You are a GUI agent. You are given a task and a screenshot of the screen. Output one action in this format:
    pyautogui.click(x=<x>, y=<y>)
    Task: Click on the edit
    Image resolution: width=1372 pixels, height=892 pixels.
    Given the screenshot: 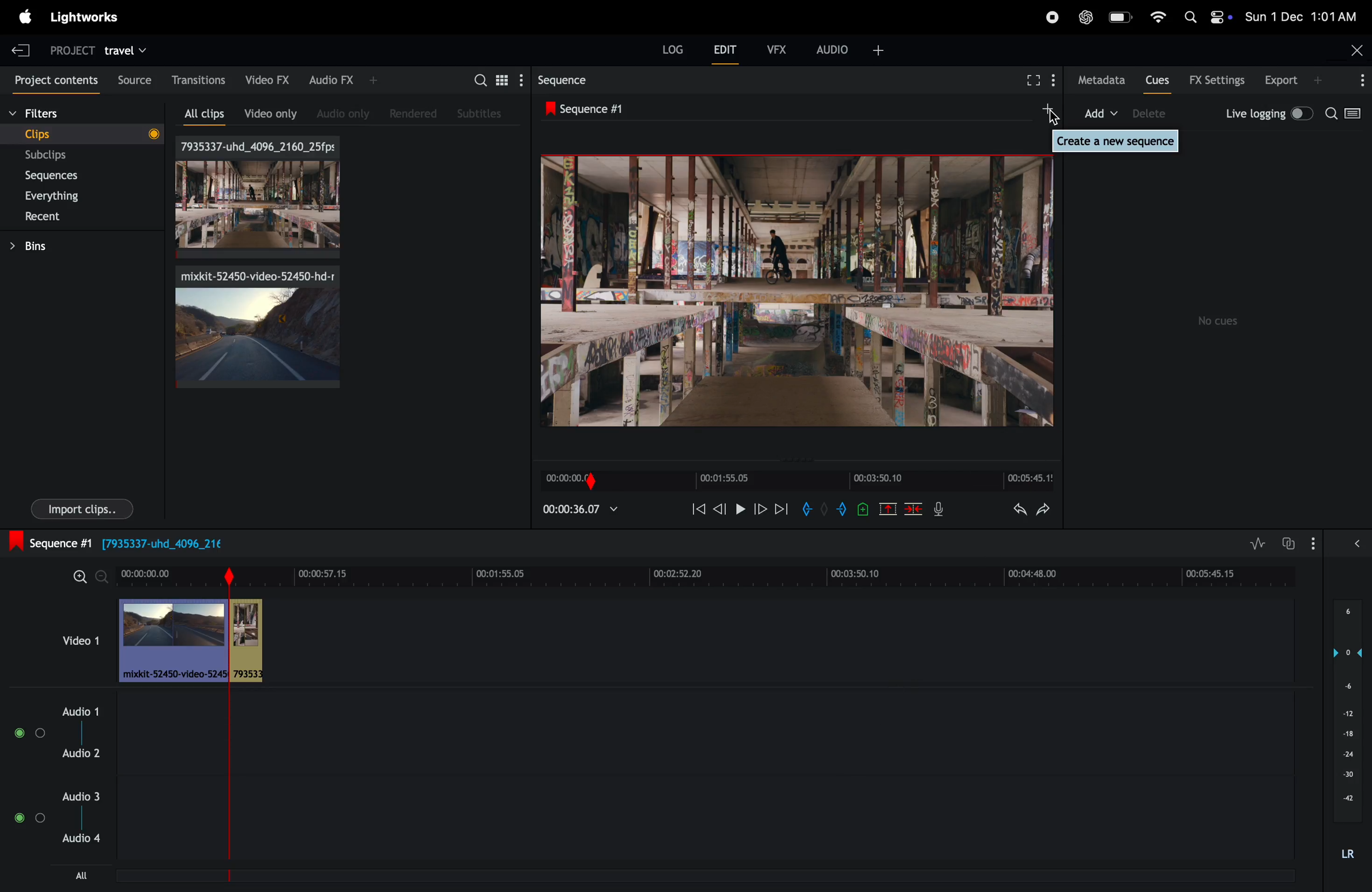 What is the action you would take?
    pyautogui.click(x=725, y=49)
    